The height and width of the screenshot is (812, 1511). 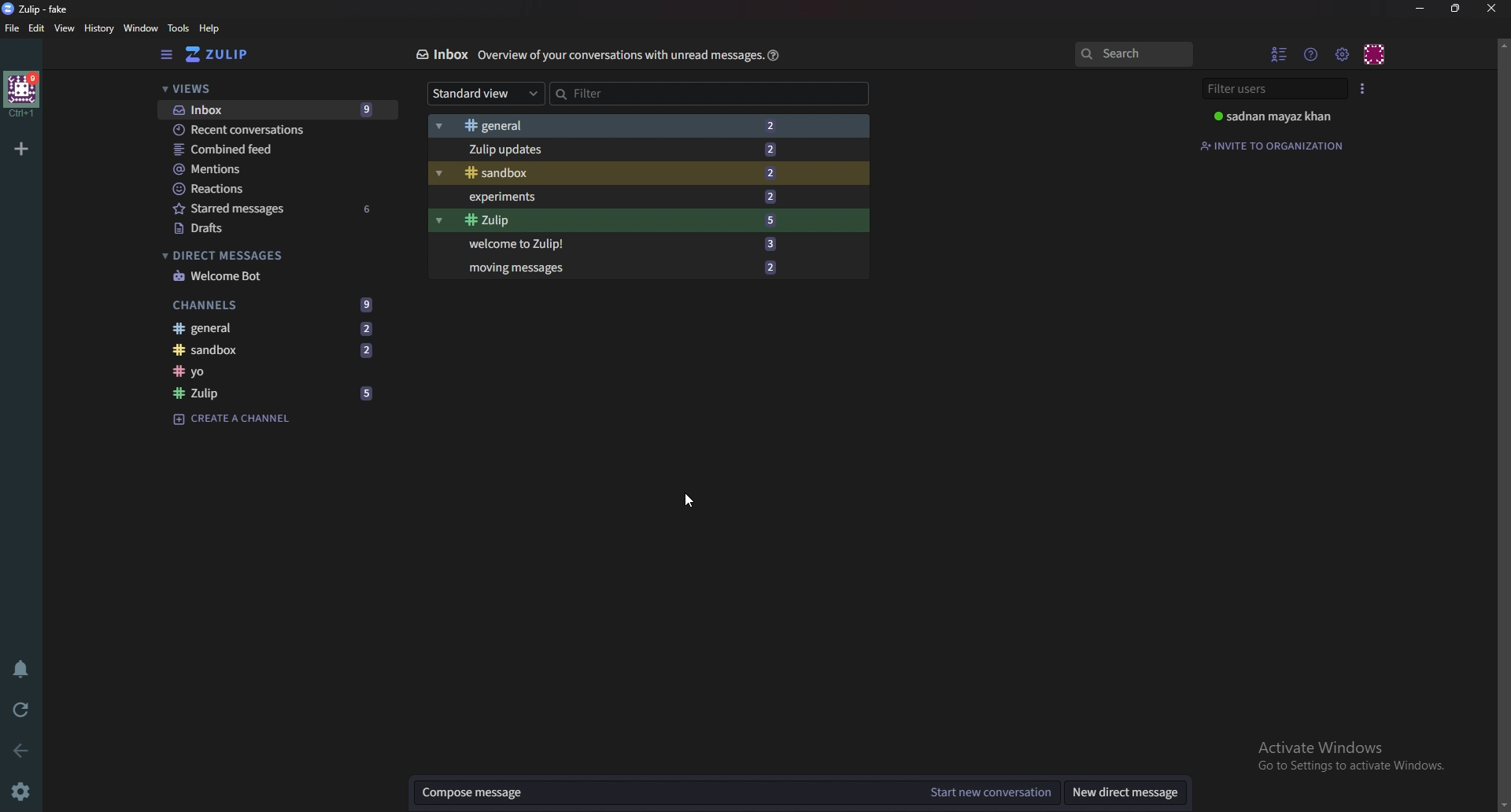 I want to click on Sandbox, so click(x=617, y=173).